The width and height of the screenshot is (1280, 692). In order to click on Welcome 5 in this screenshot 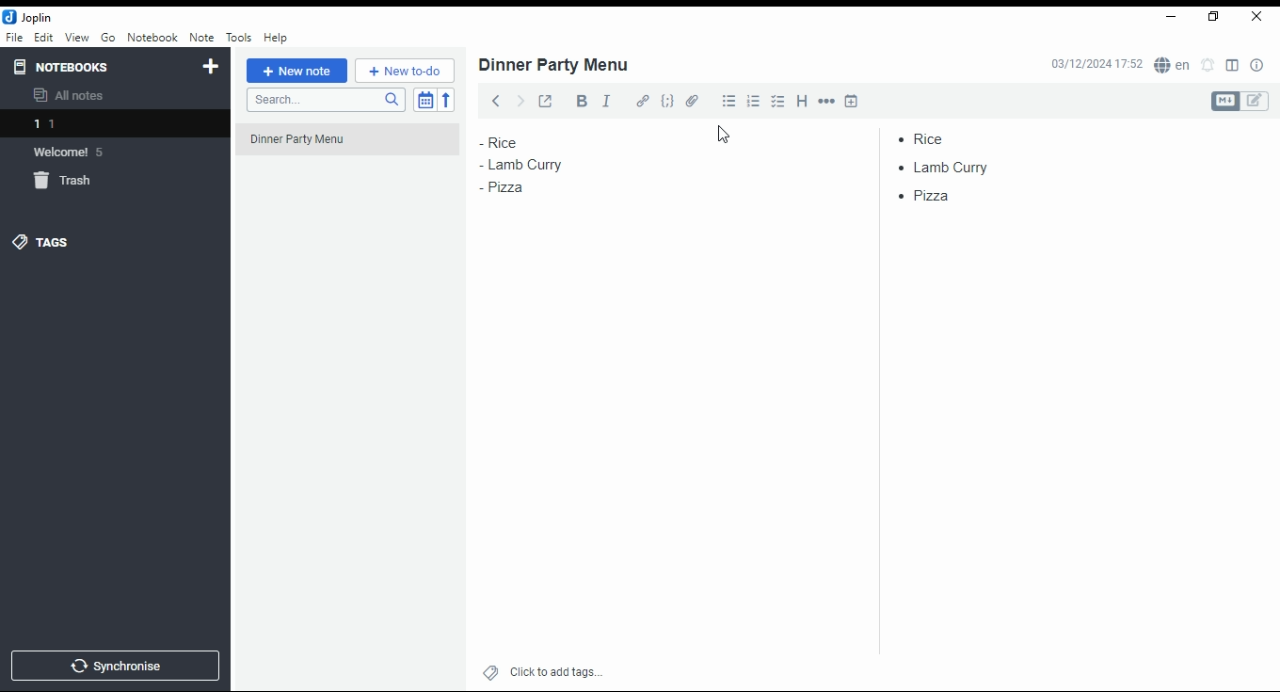, I will do `click(79, 152)`.